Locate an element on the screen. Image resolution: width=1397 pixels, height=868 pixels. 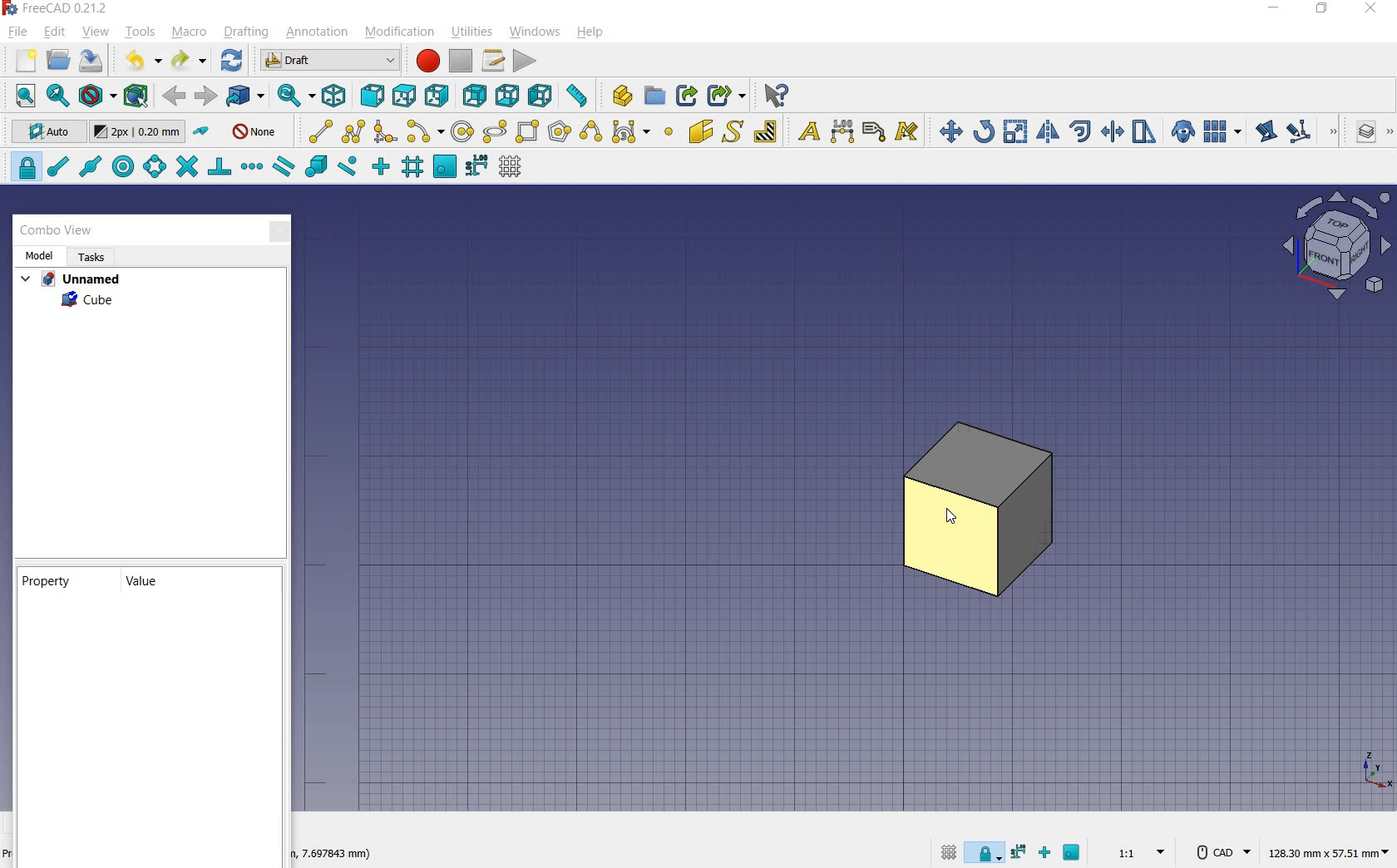
macros is located at coordinates (493, 61).